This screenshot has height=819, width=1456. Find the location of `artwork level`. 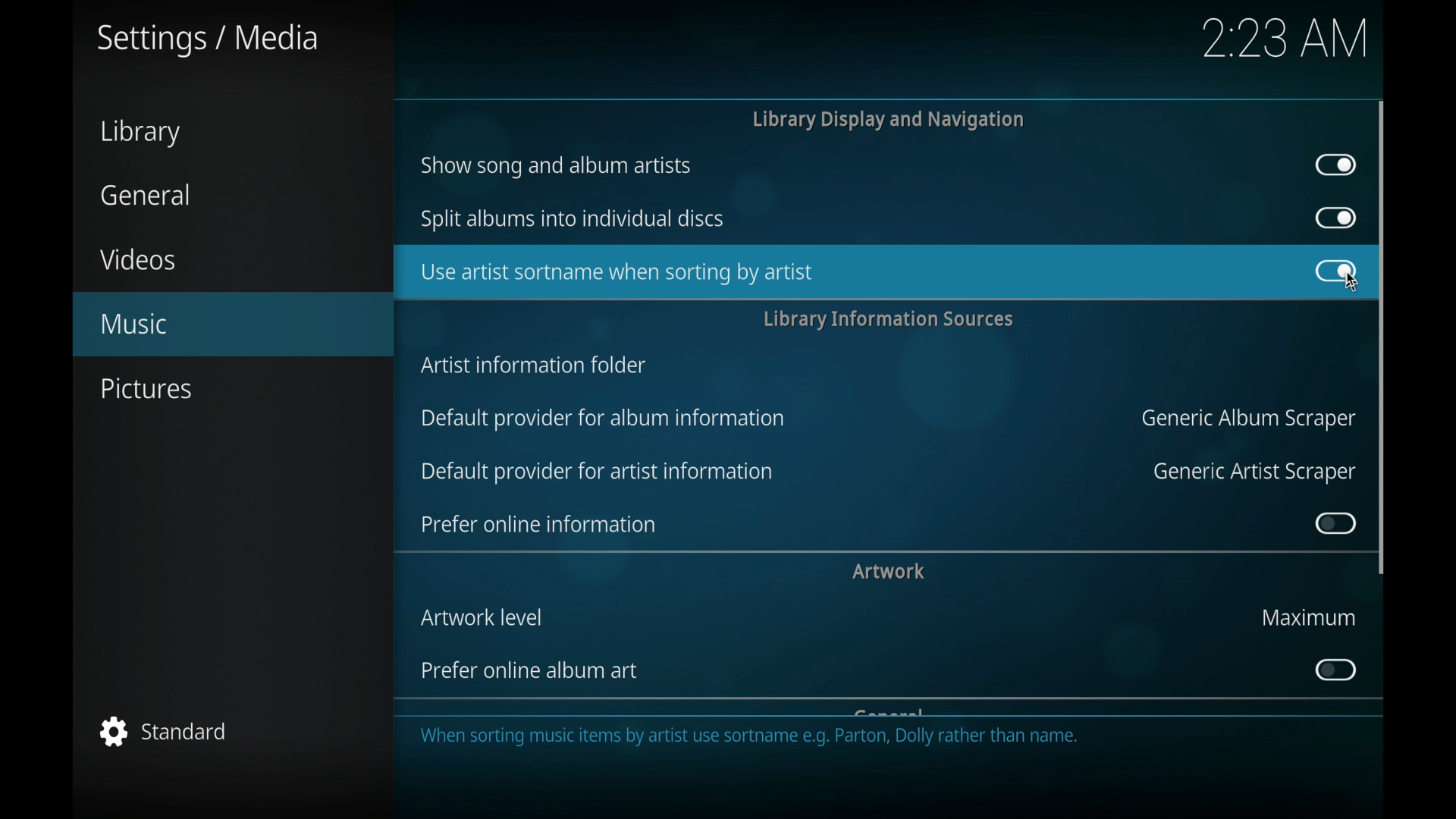

artwork level is located at coordinates (482, 617).